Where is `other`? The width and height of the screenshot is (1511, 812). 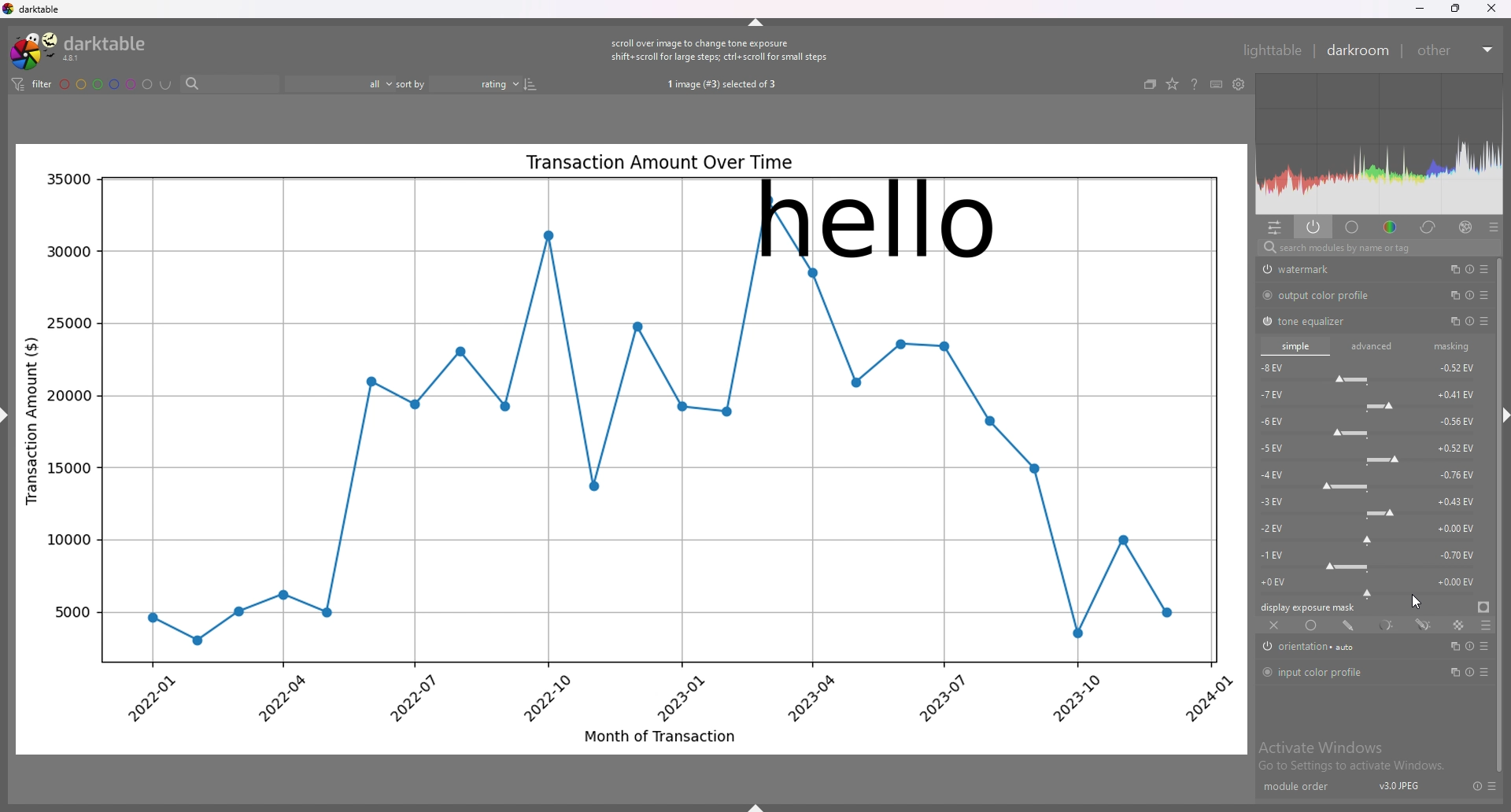 other is located at coordinates (1439, 51).